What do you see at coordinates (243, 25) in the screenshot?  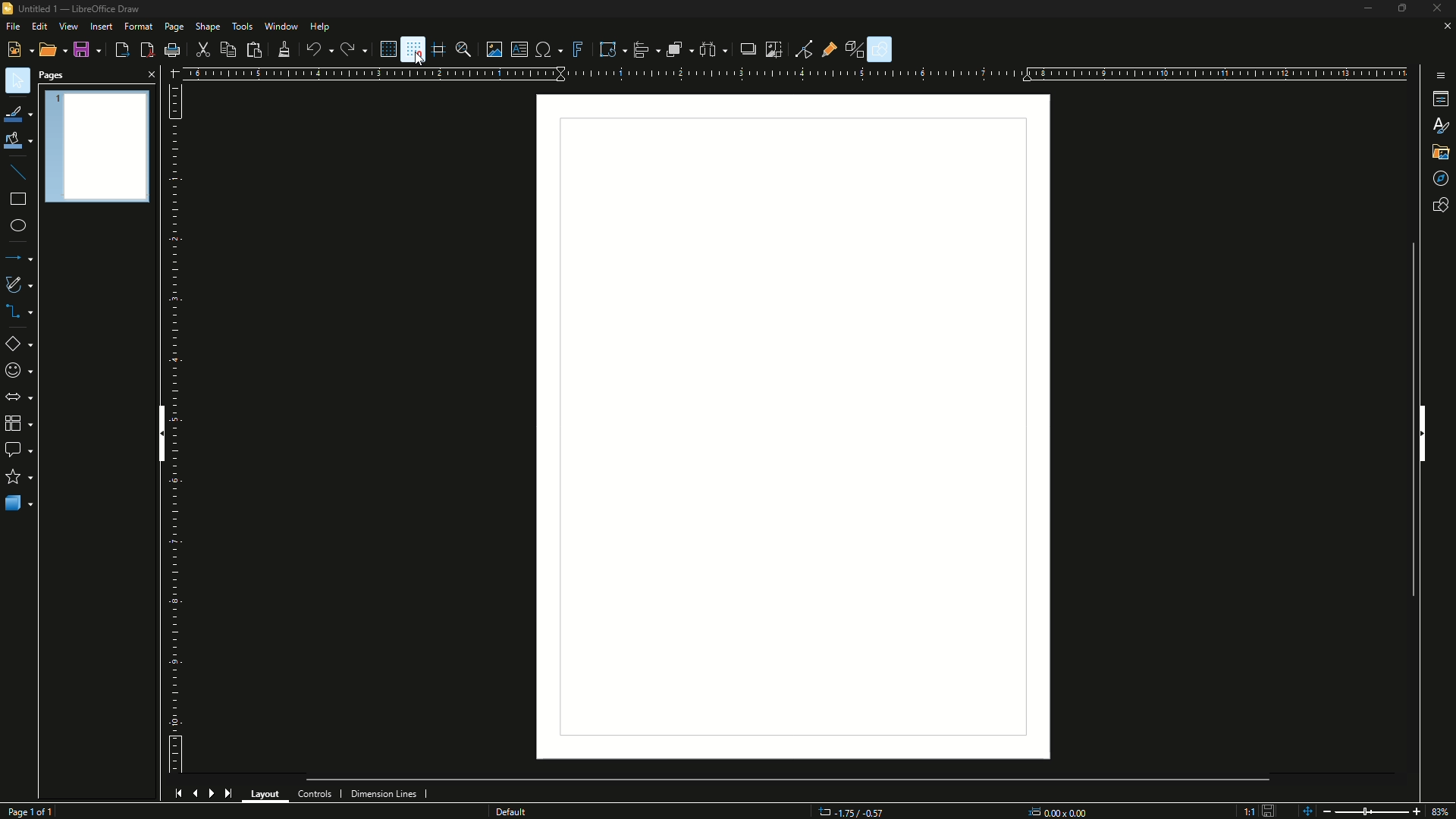 I see `Tools` at bounding box center [243, 25].